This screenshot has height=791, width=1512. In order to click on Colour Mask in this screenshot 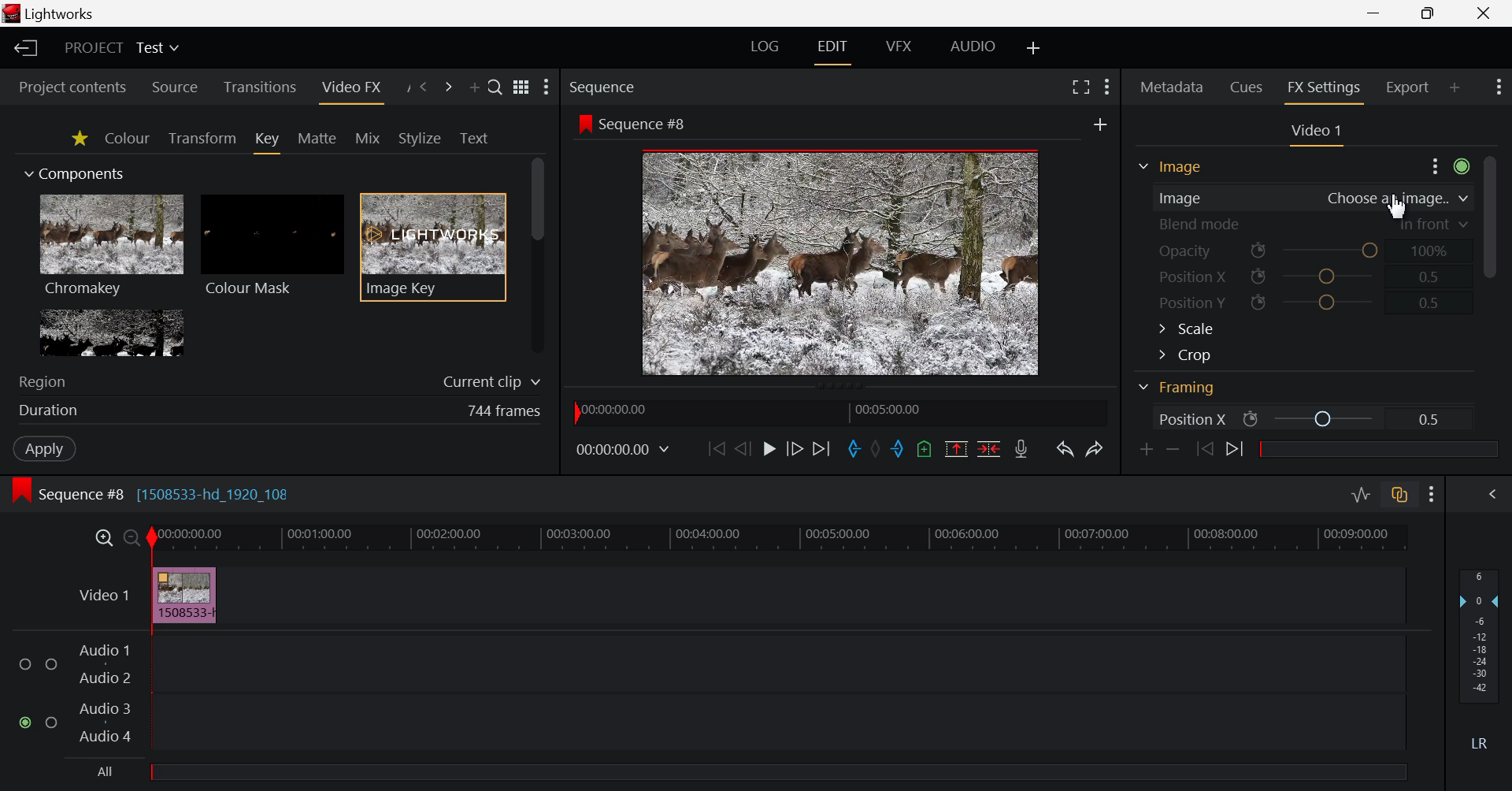, I will do `click(272, 247)`.